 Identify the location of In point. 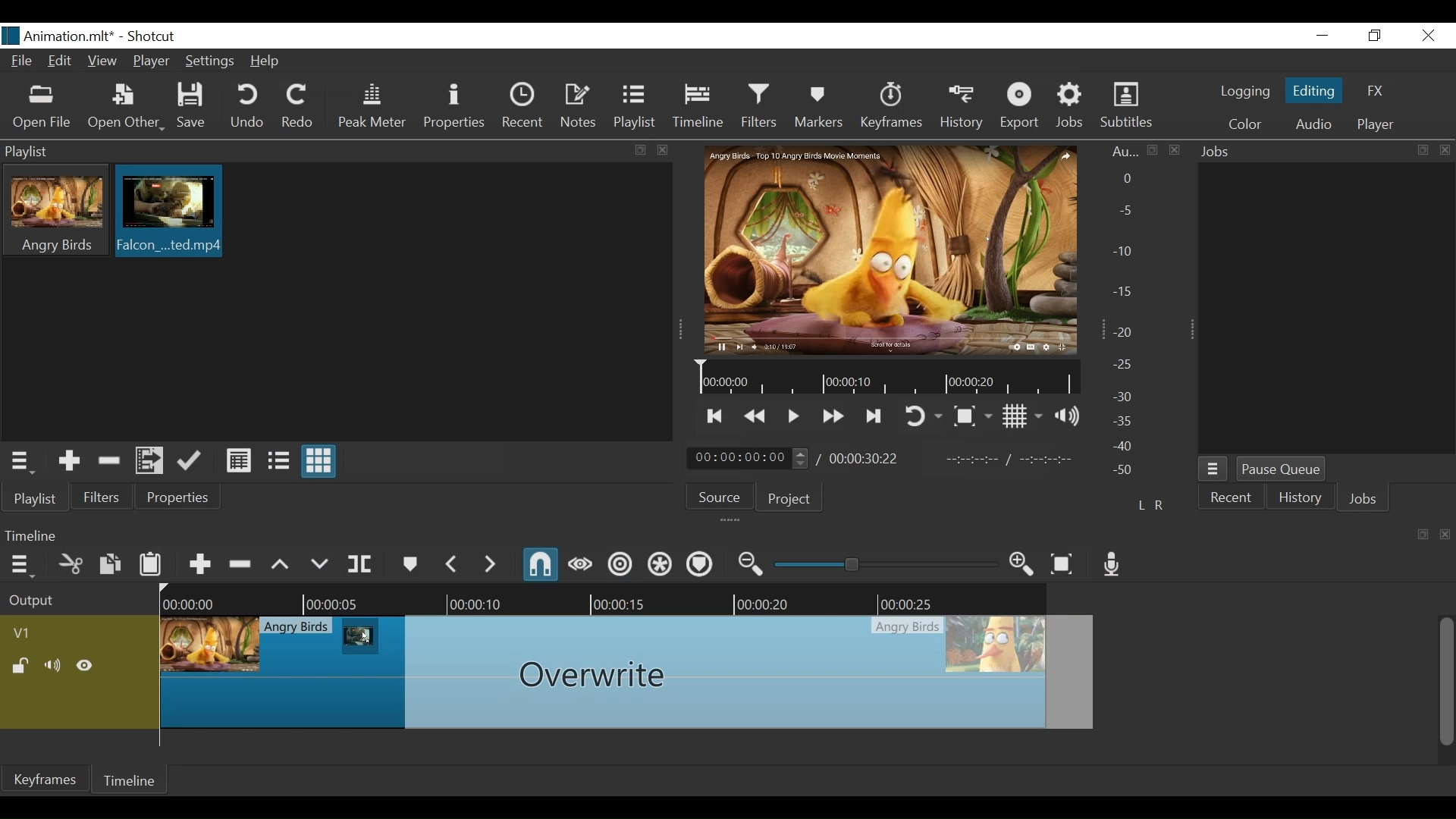
(1012, 460).